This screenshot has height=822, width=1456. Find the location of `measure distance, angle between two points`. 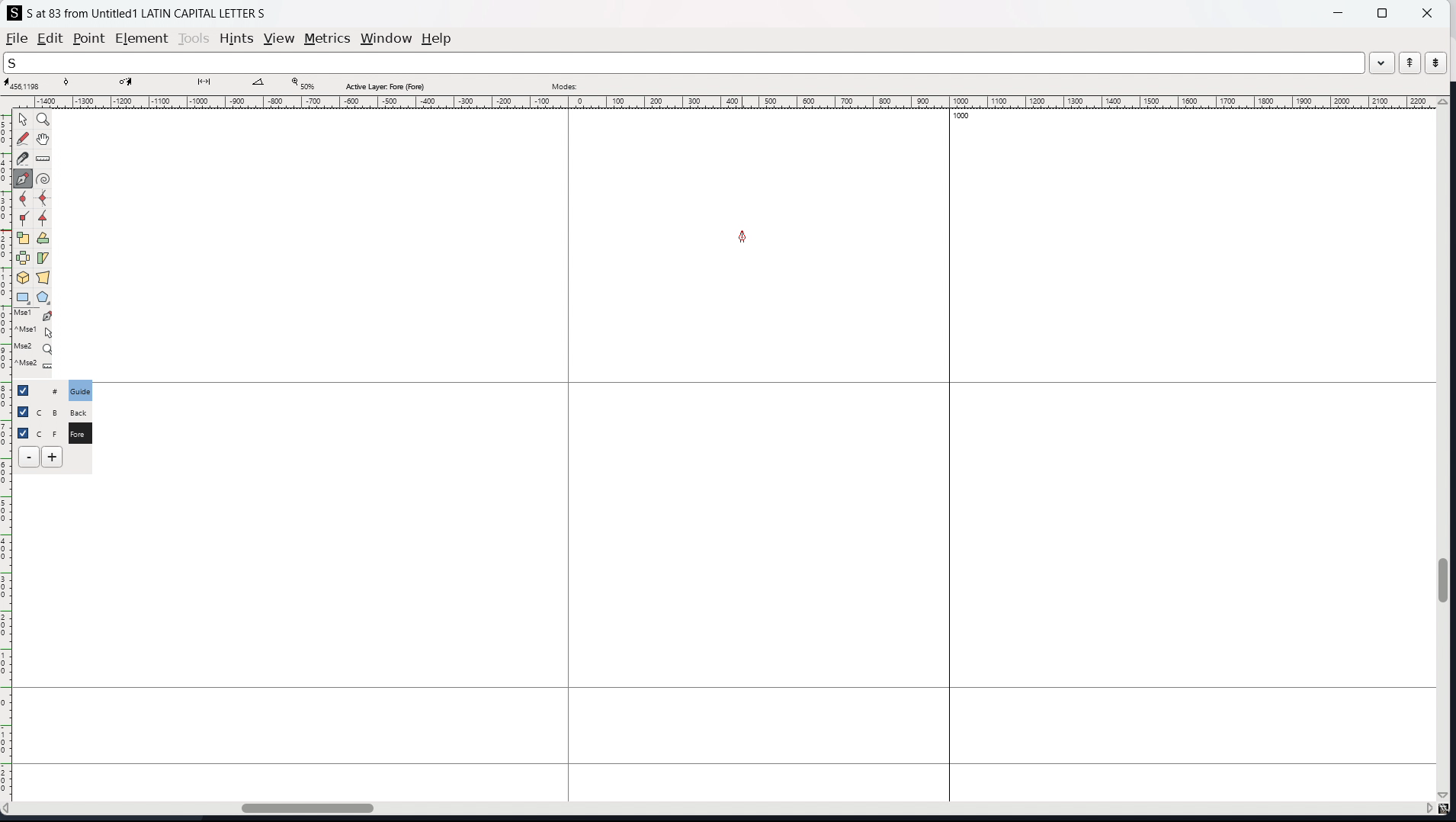

measure distance, angle between two points is located at coordinates (43, 159).